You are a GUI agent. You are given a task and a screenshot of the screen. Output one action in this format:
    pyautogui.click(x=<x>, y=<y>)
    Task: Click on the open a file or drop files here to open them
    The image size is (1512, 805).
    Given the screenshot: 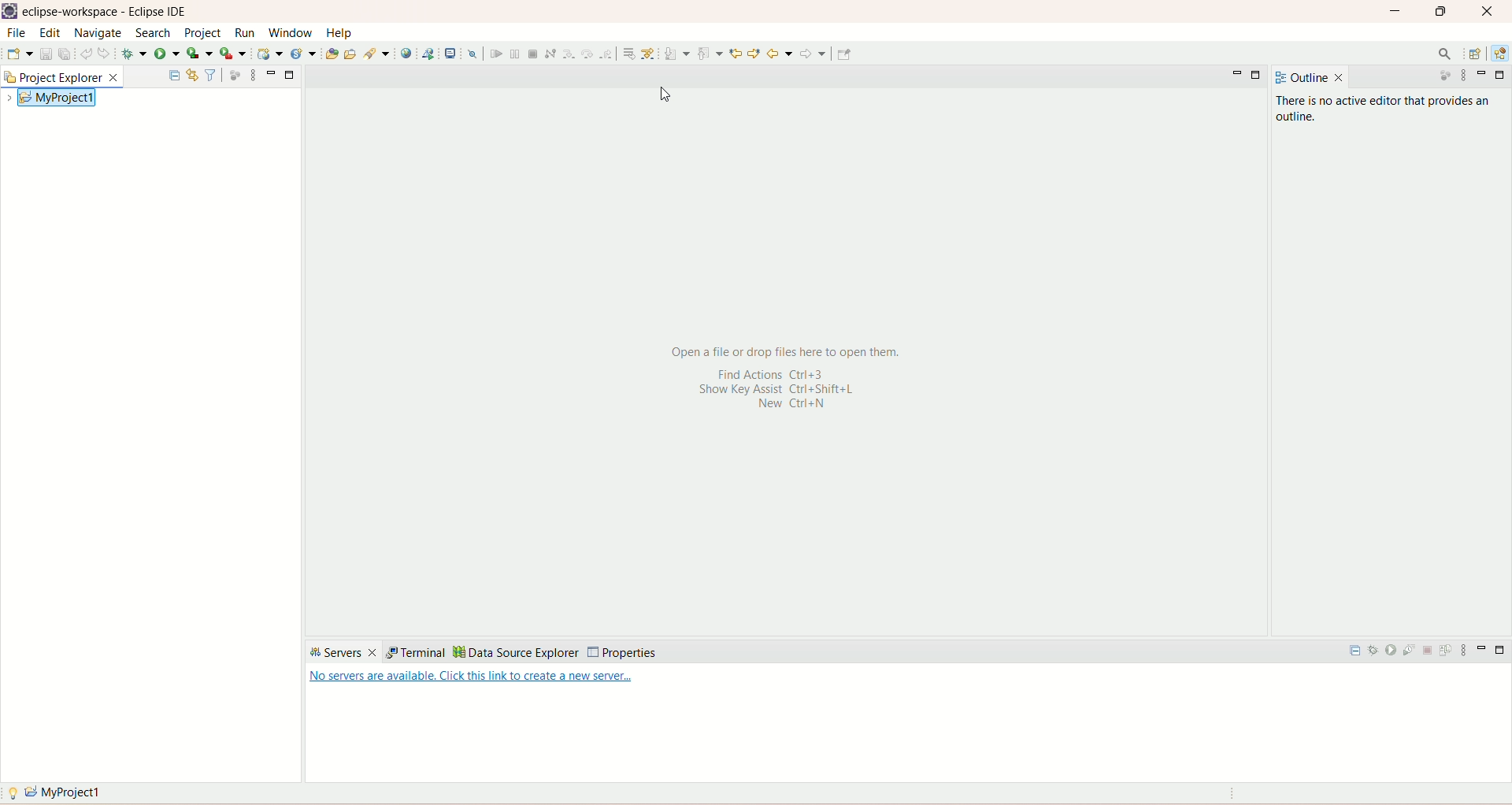 What is the action you would take?
    pyautogui.click(x=785, y=351)
    